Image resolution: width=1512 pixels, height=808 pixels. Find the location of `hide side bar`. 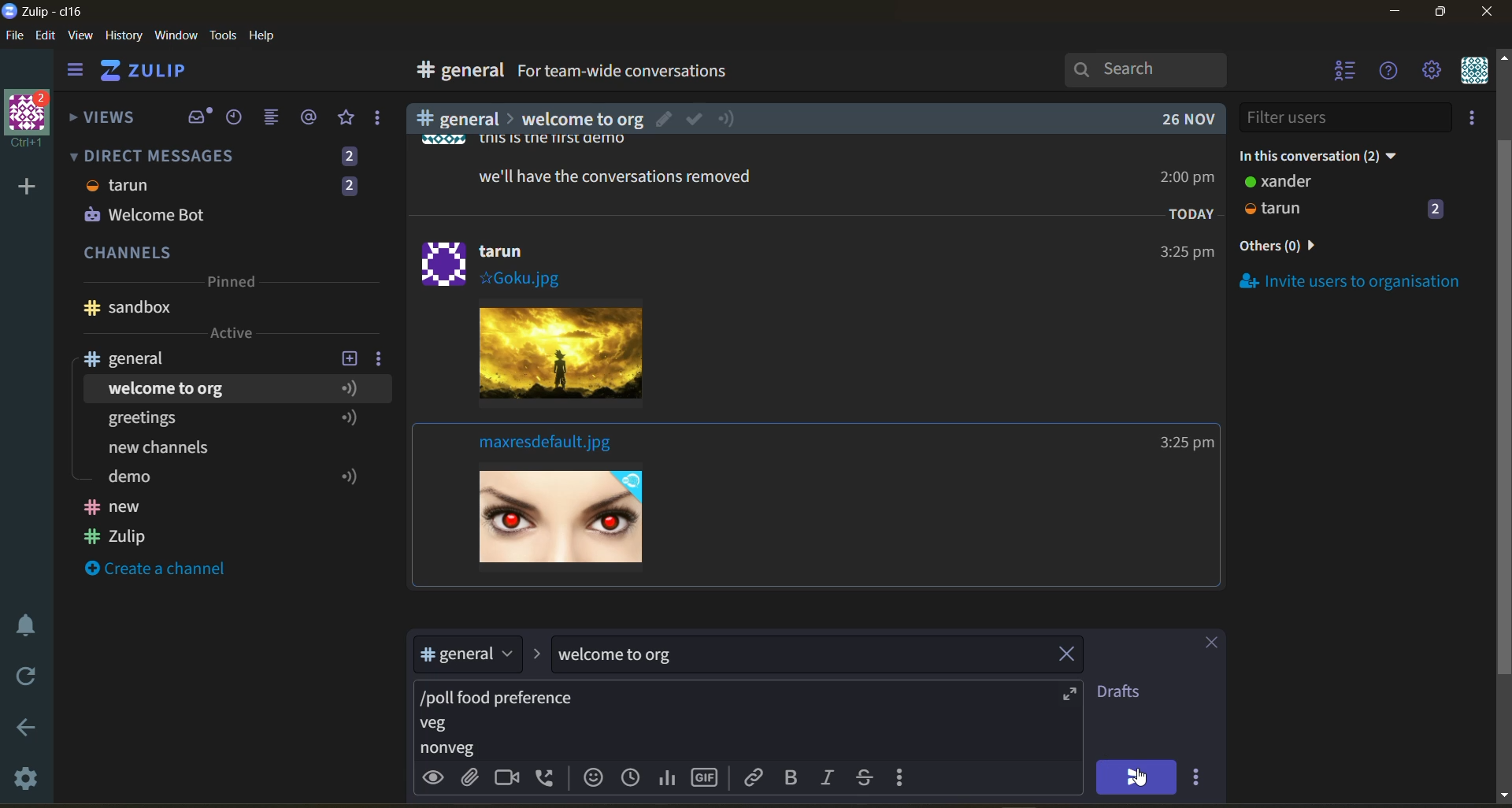

hide side bar is located at coordinates (75, 73).